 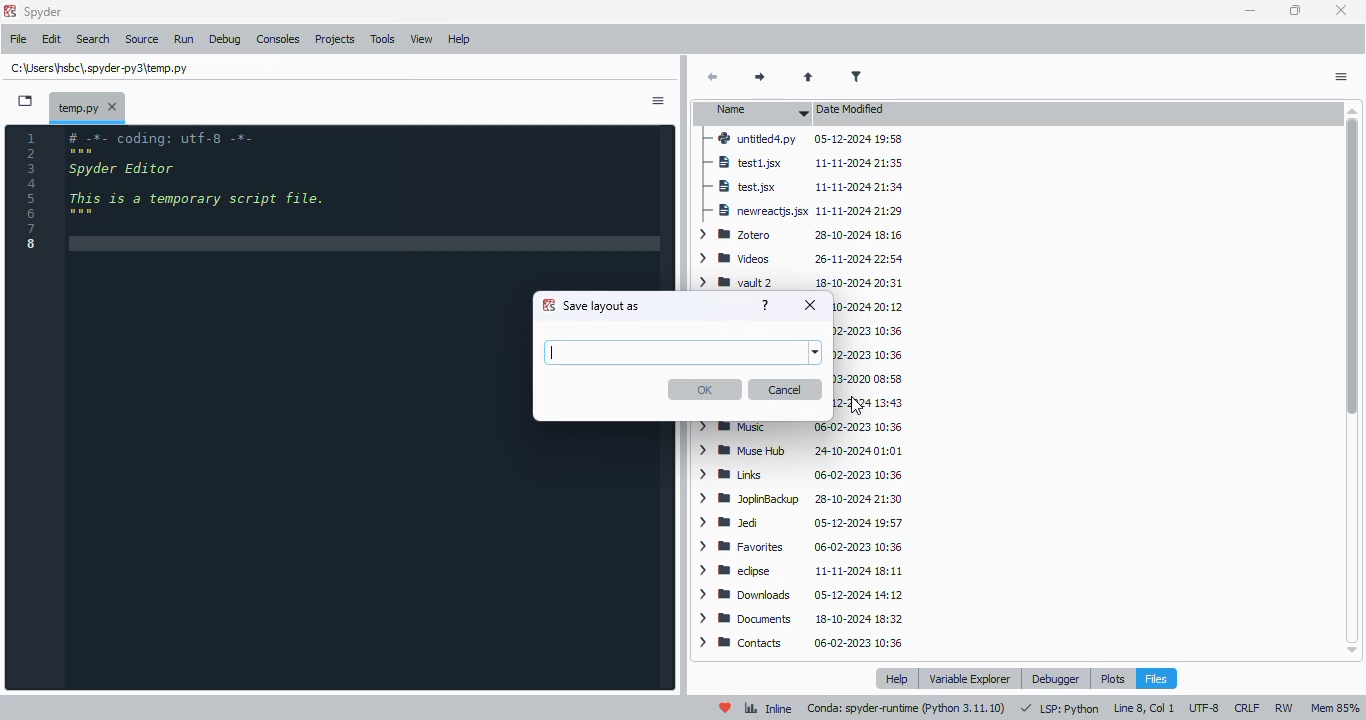 What do you see at coordinates (1353, 265) in the screenshot?
I see `vertical scroll bar` at bounding box center [1353, 265].